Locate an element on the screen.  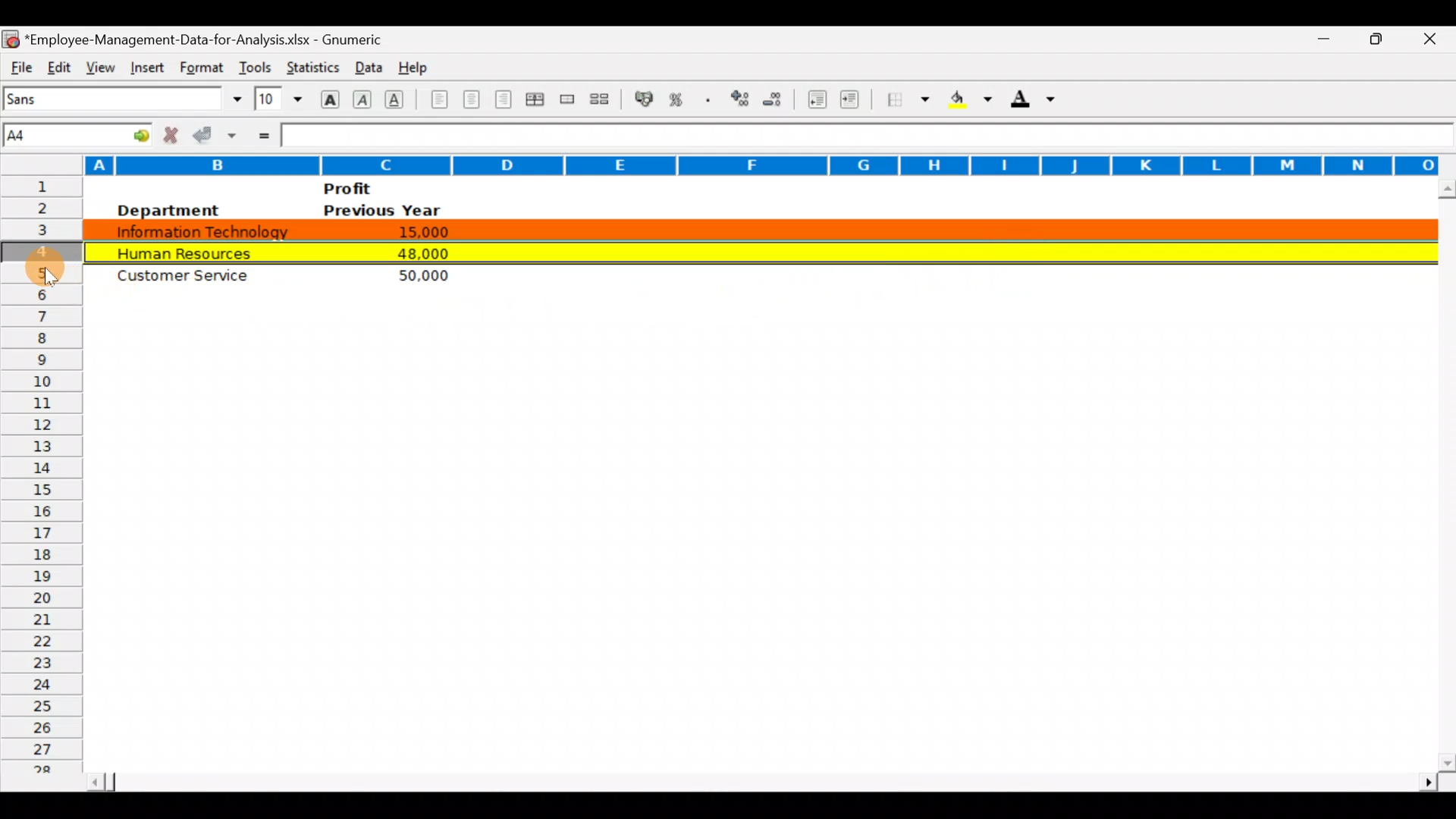
Decrease decimals is located at coordinates (779, 99).